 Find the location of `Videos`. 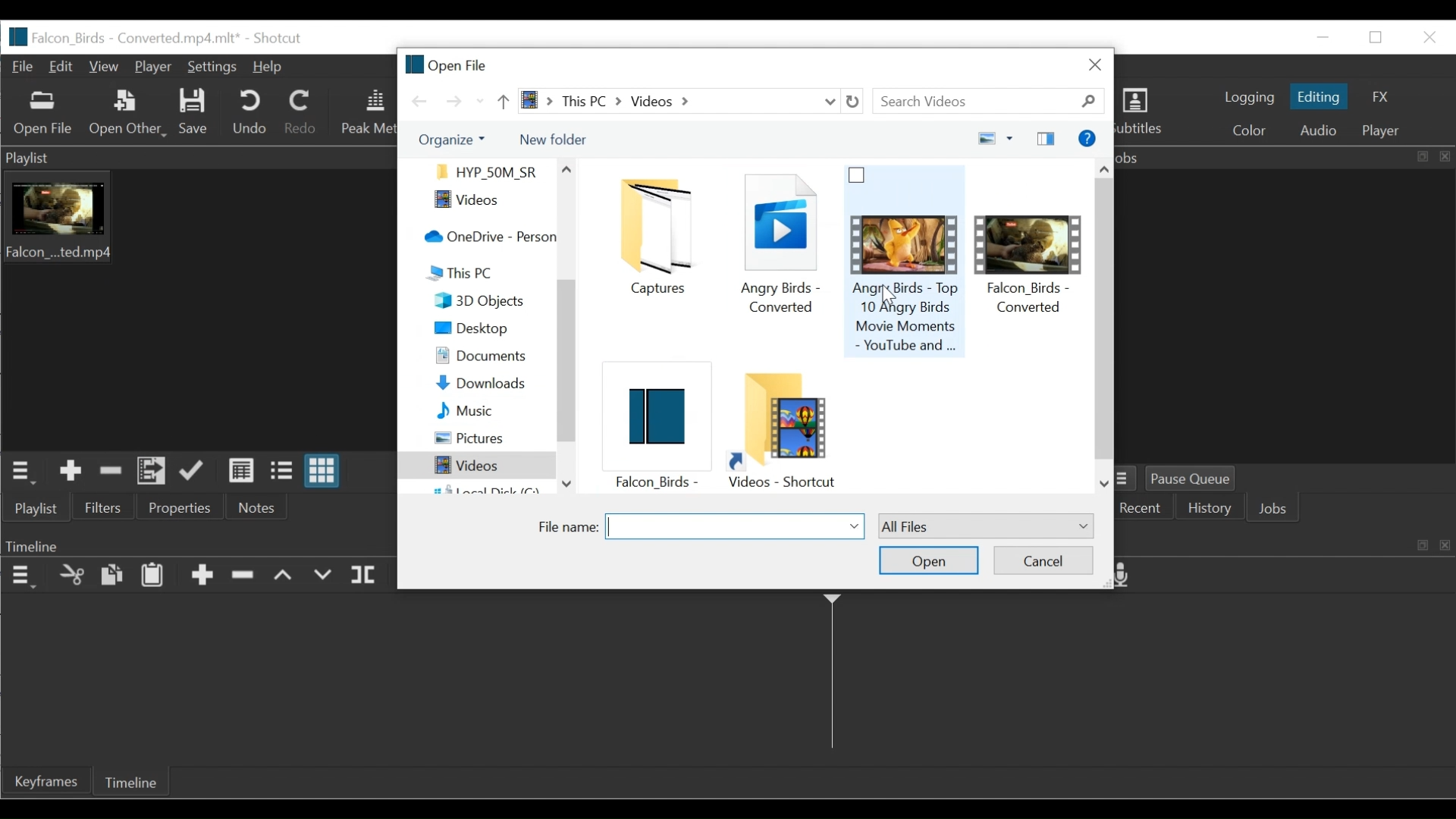

Videos is located at coordinates (472, 466).